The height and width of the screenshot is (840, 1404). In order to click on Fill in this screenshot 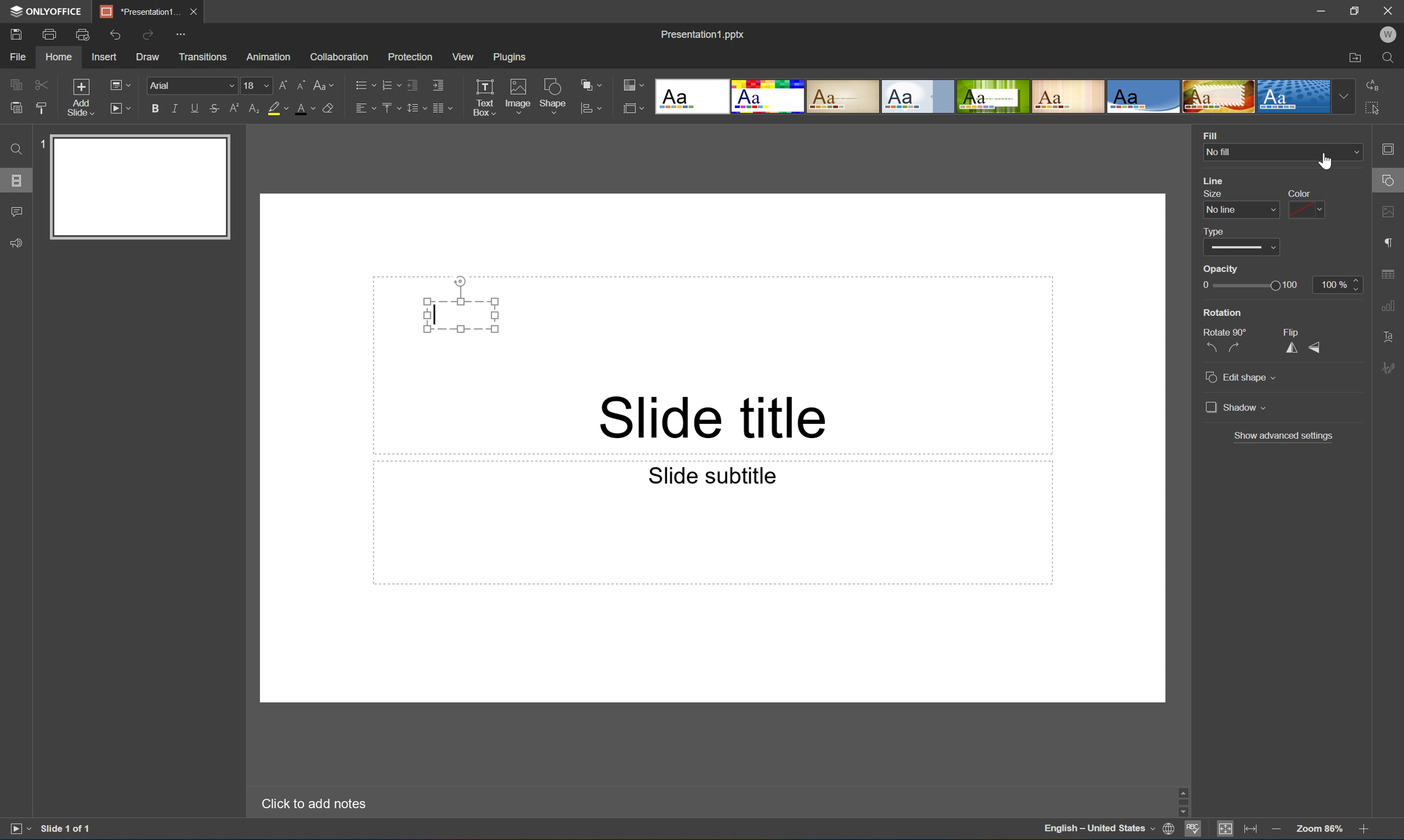, I will do `click(1210, 134)`.